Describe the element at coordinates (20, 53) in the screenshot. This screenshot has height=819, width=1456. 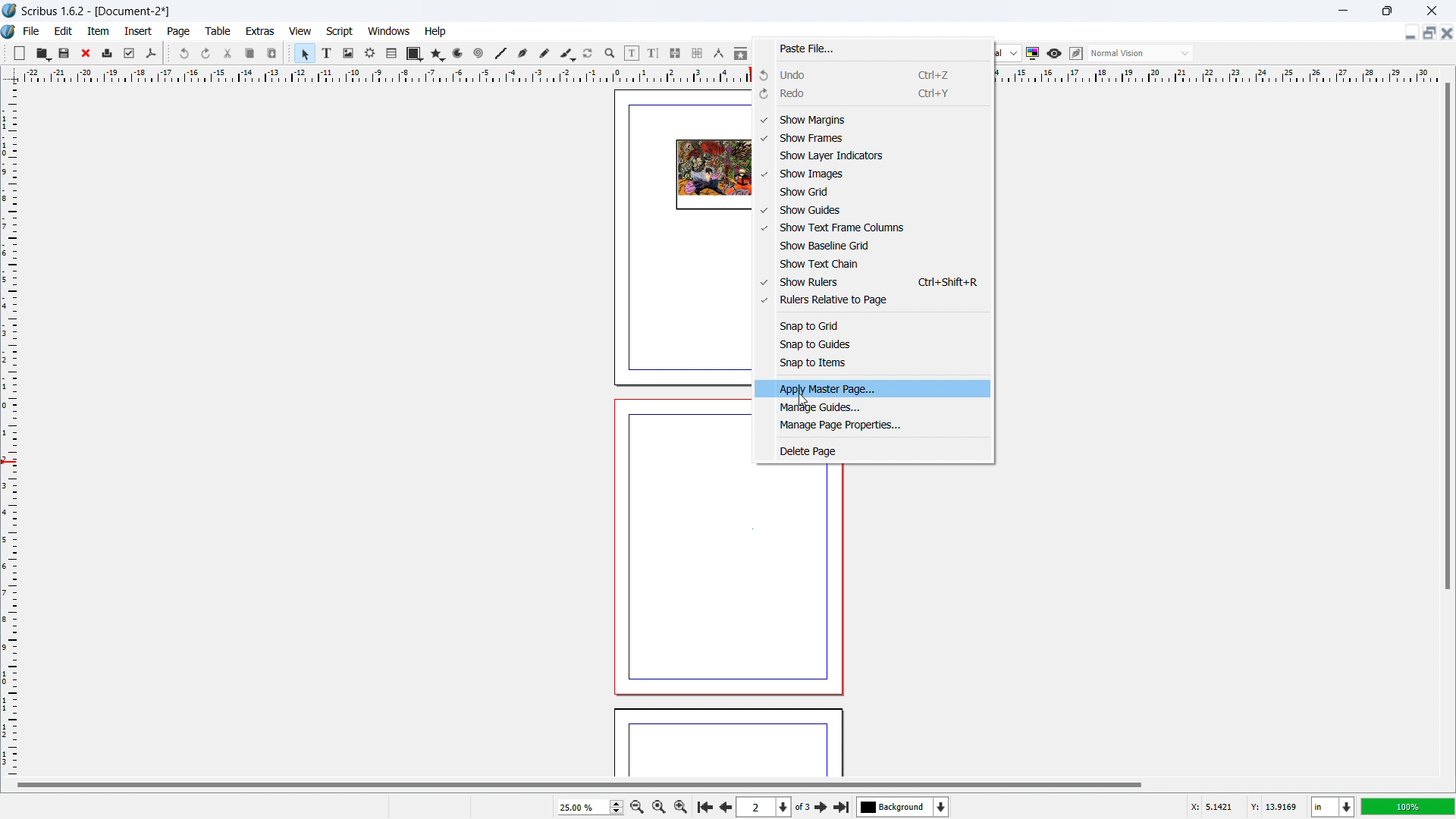
I see `new` at that location.